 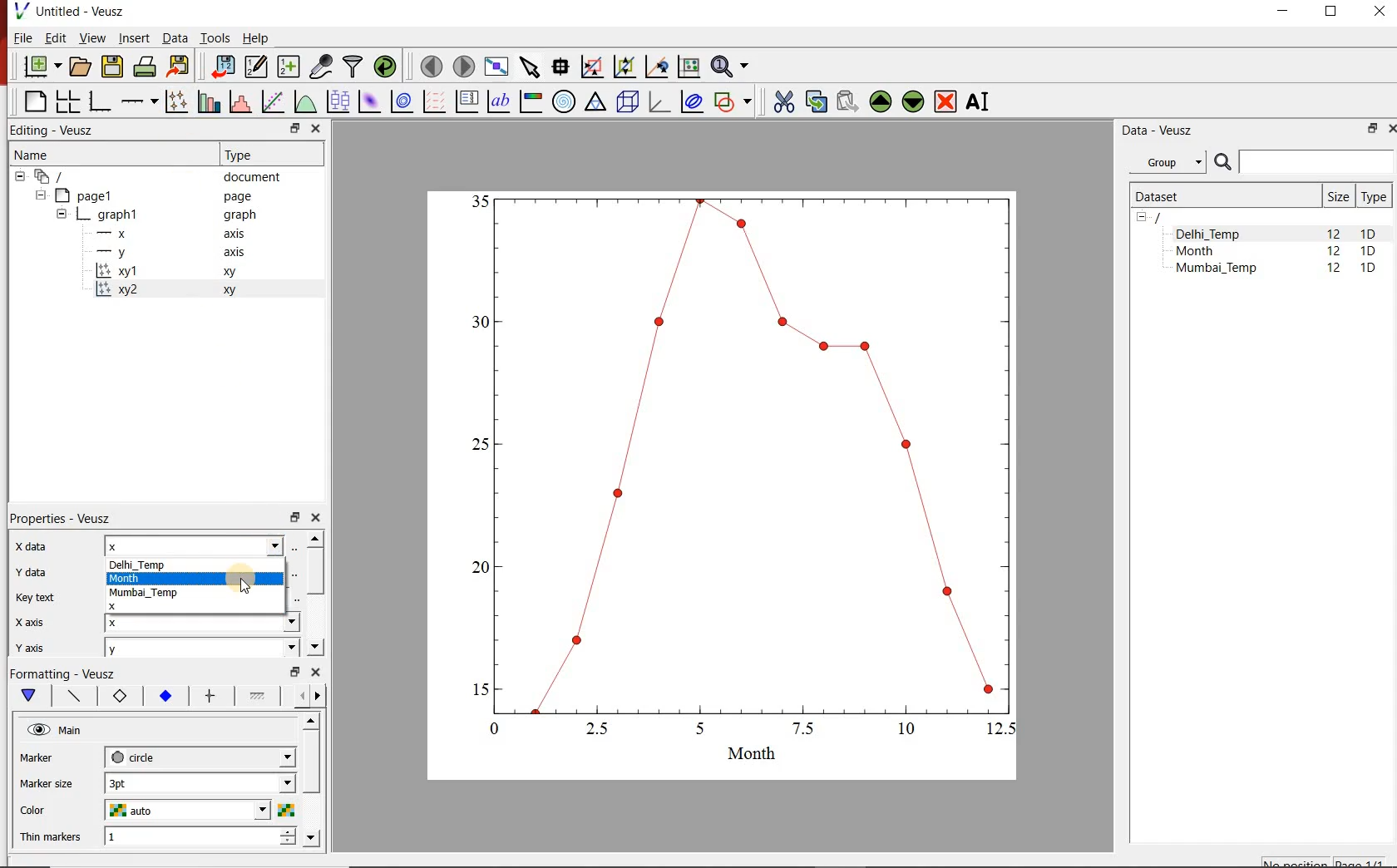 I want to click on restore, so click(x=297, y=671).